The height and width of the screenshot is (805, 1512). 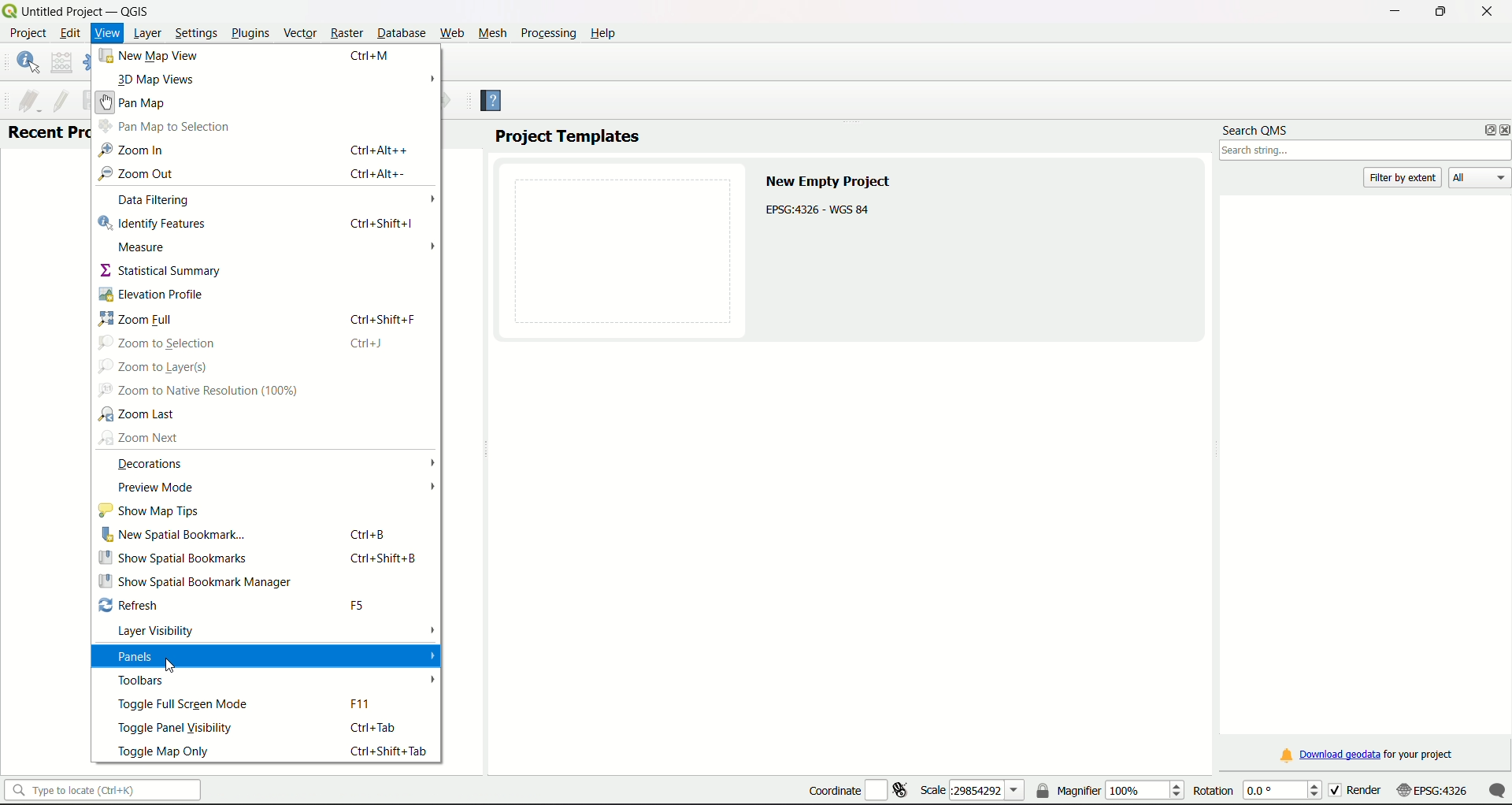 I want to click on Web, so click(x=452, y=33).